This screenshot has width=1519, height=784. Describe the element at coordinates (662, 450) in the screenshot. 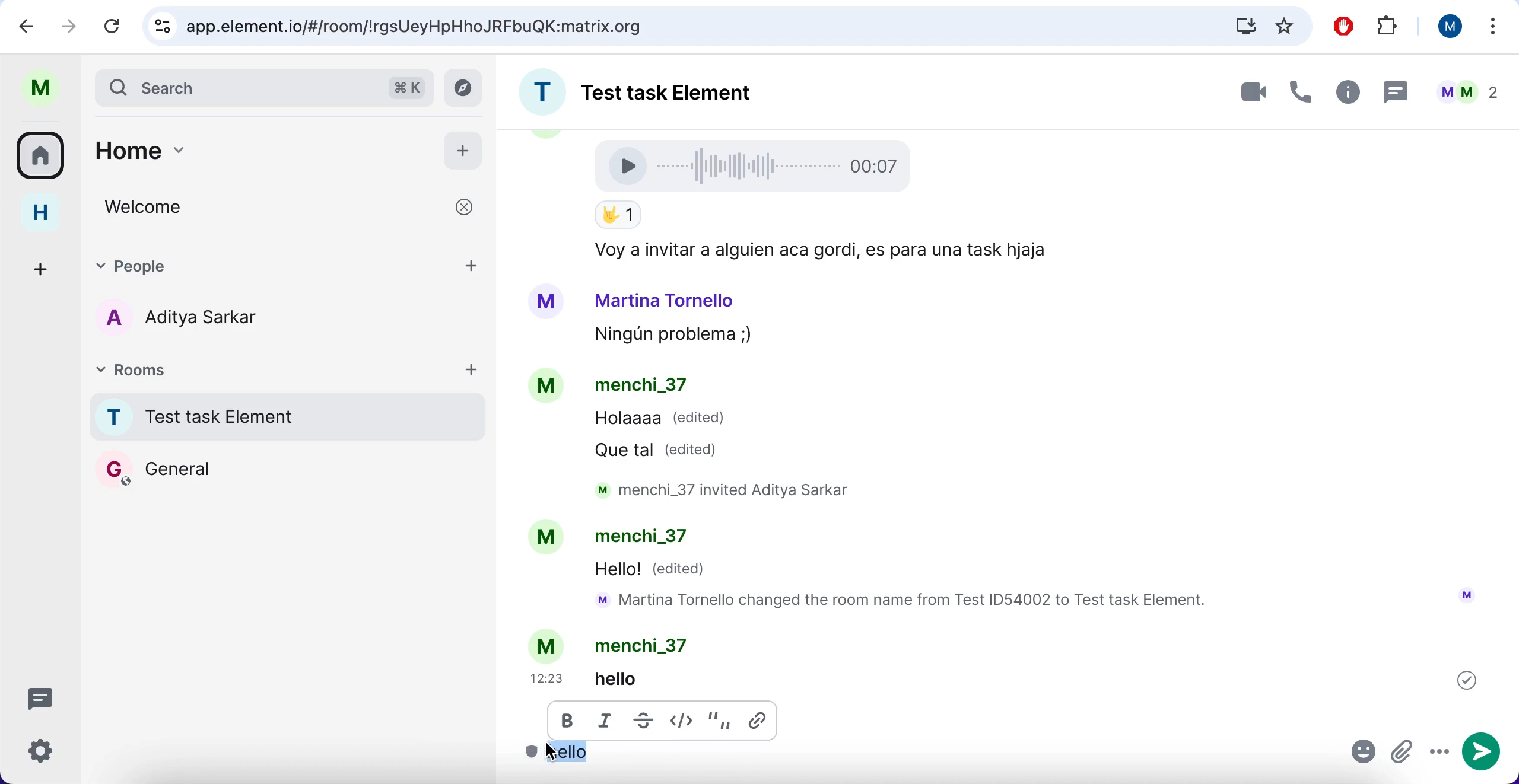

I see `Que tal (edited)` at that location.